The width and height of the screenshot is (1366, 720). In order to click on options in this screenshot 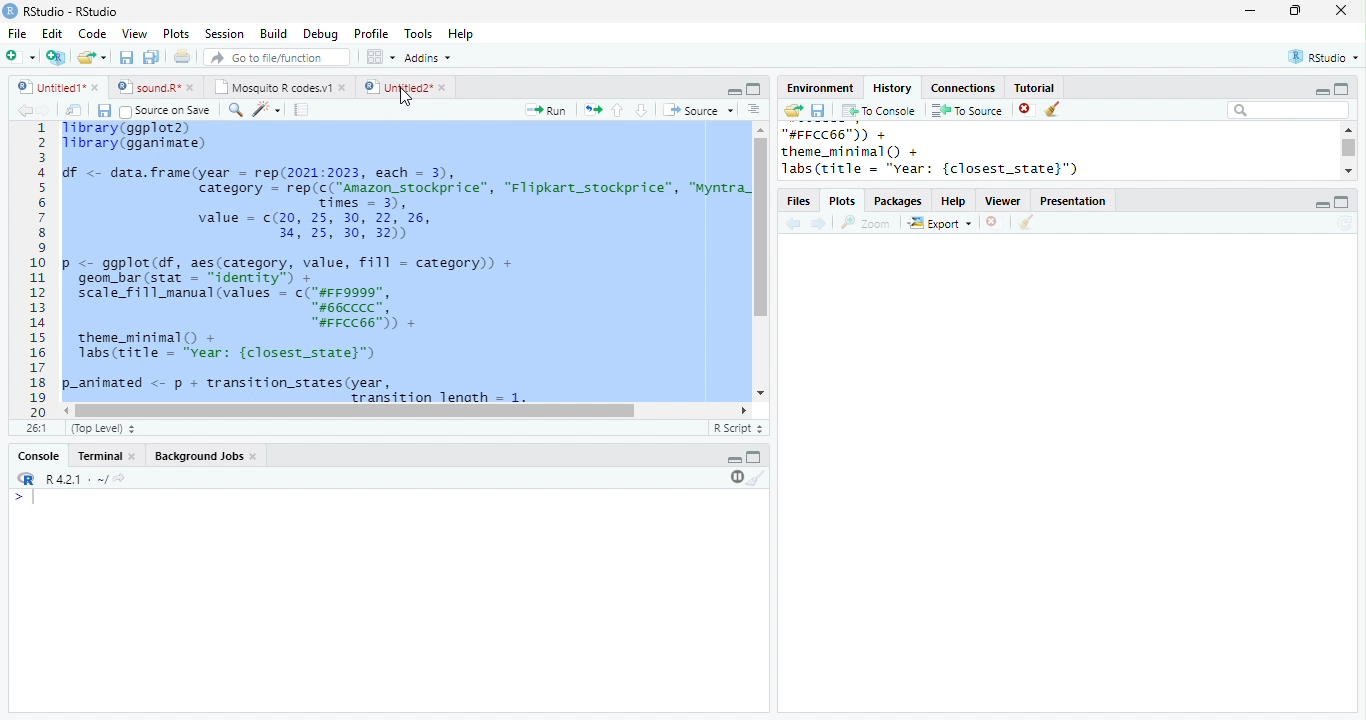, I will do `click(752, 109)`.